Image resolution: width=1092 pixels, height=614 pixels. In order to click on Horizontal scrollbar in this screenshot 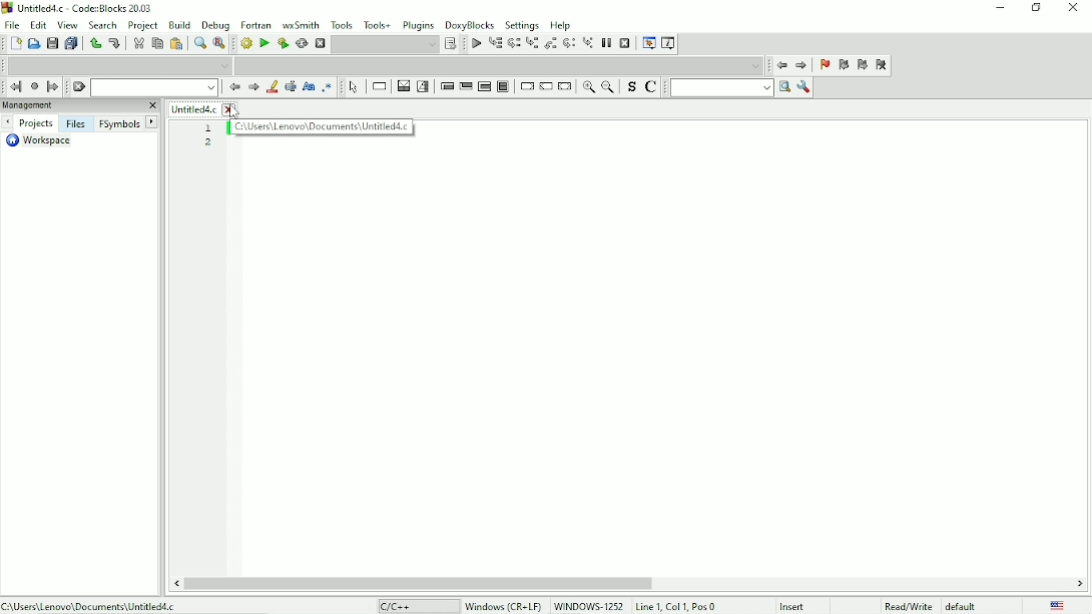, I will do `click(423, 583)`.